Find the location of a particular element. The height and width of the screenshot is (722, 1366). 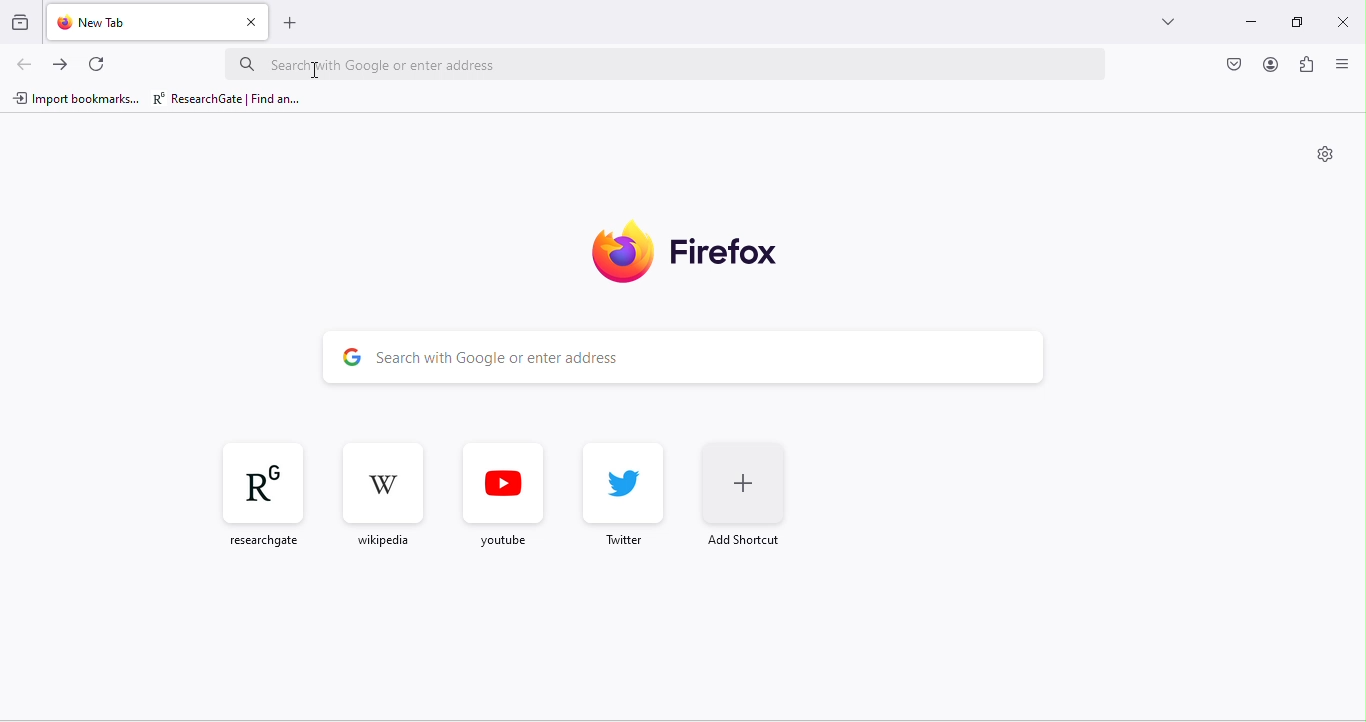

minimize is located at coordinates (1249, 18).